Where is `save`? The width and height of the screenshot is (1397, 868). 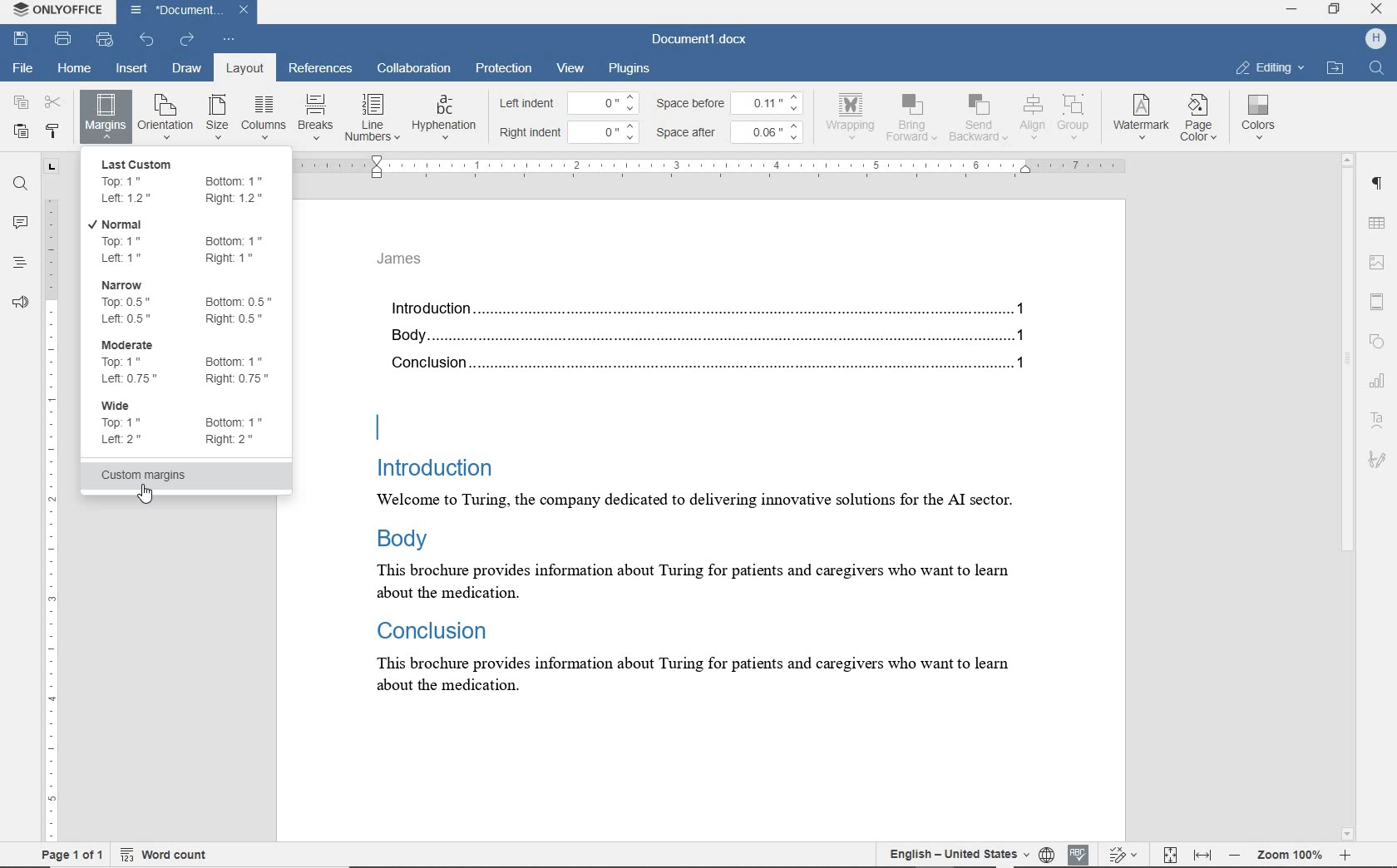
save is located at coordinates (21, 37).